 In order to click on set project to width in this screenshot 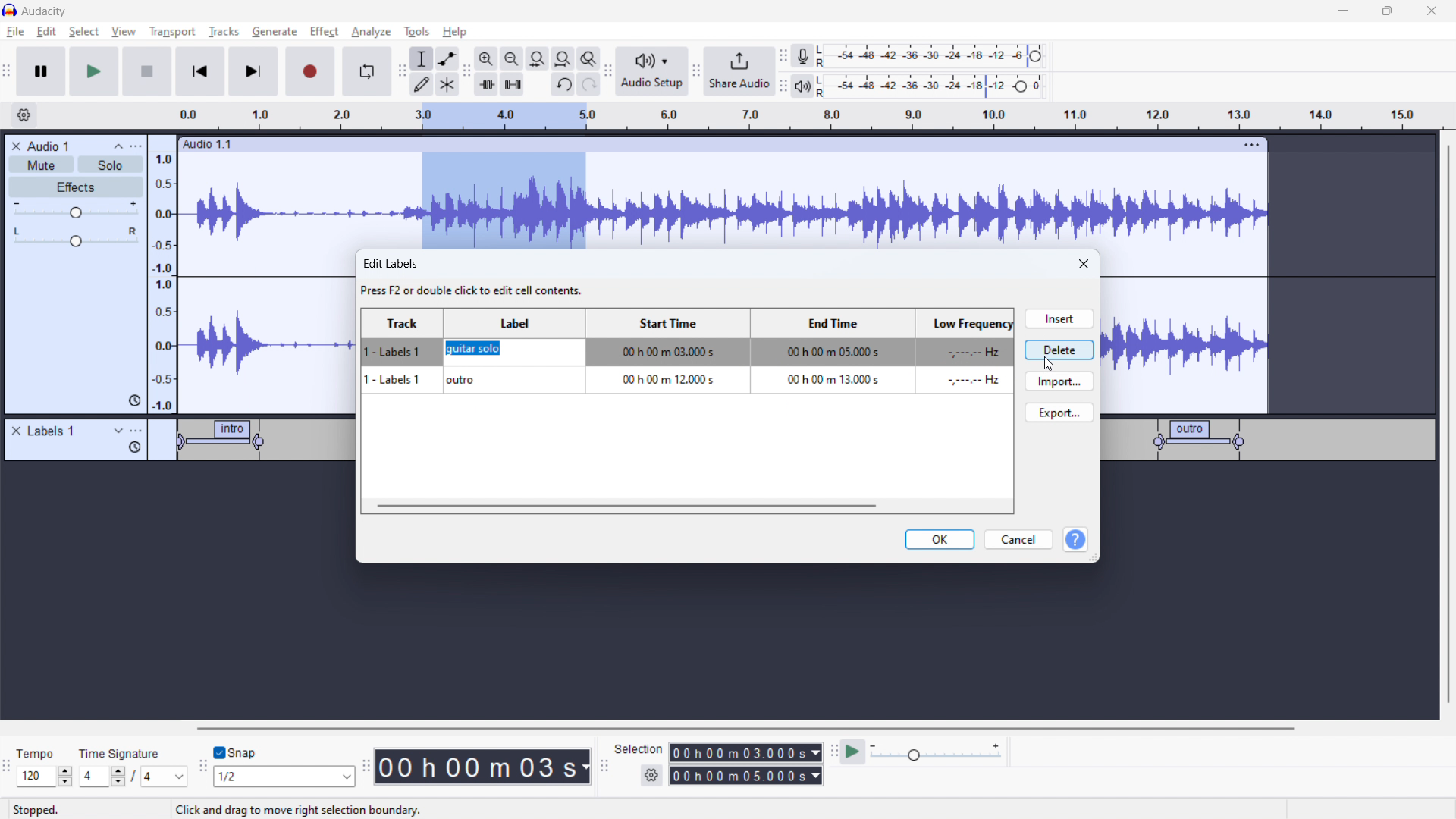, I will do `click(563, 58)`.